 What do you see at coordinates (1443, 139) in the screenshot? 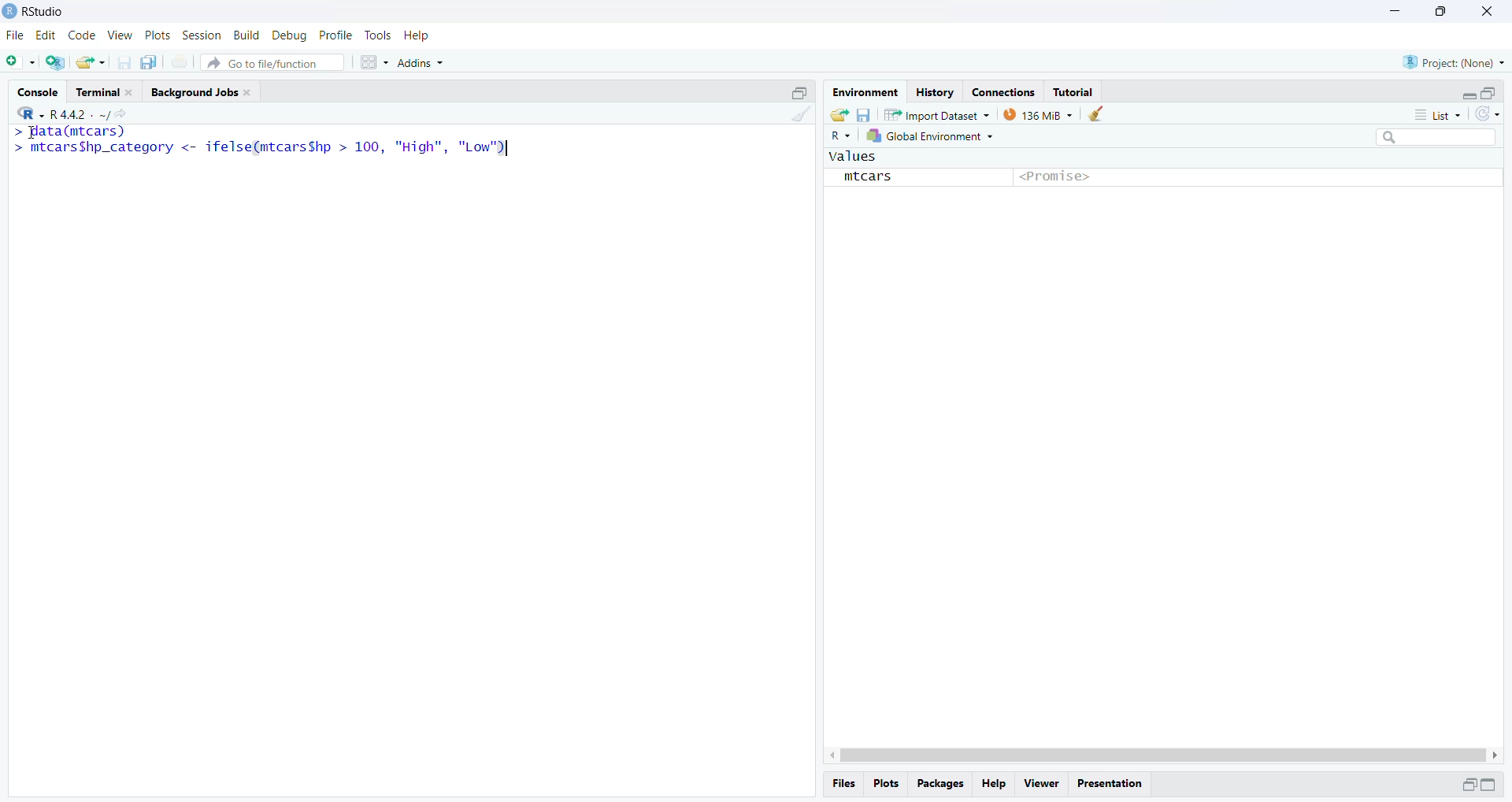
I see `Search bar` at bounding box center [1443, 139].